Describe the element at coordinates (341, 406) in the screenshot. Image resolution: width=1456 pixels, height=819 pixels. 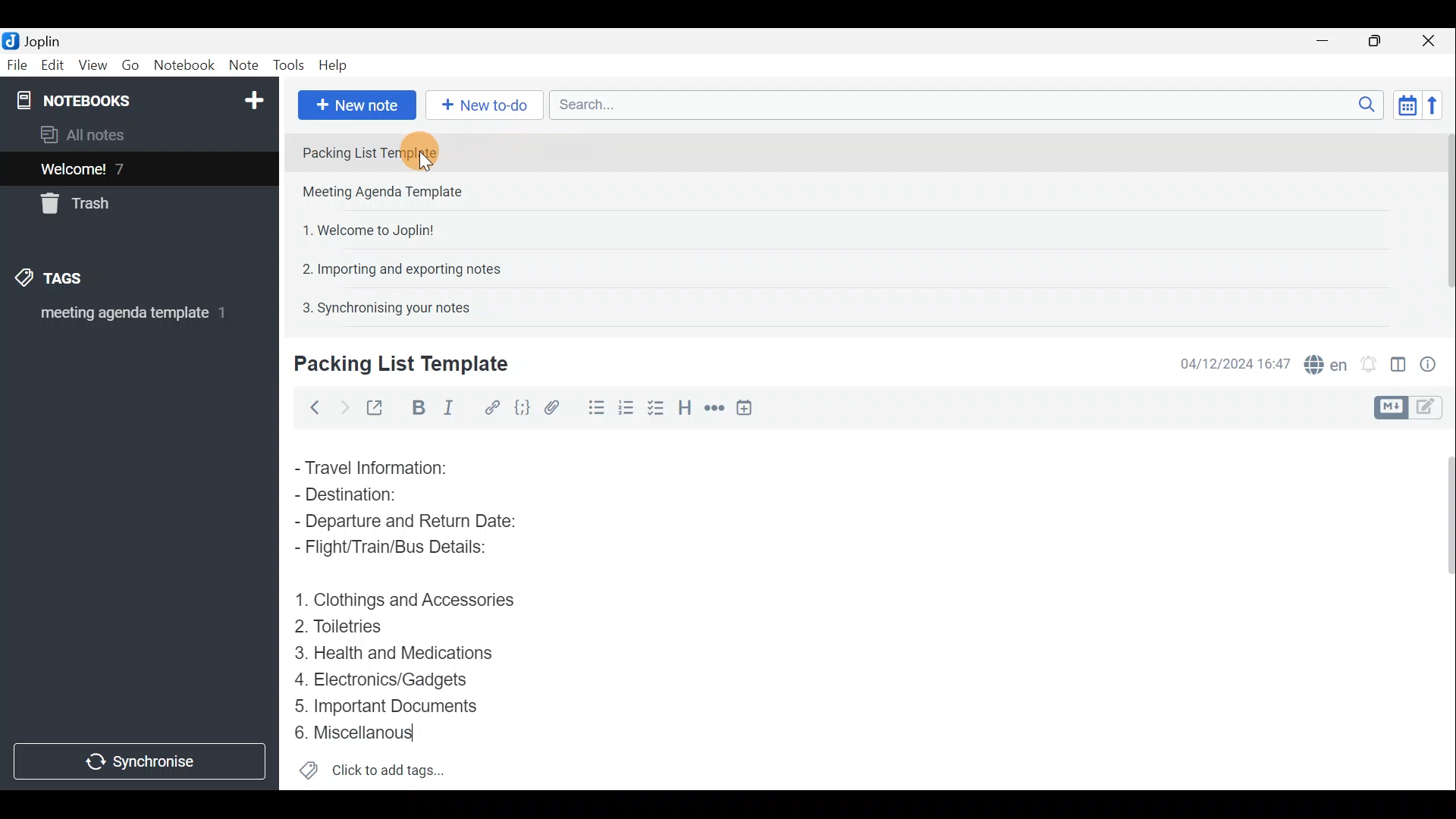
I see `Forward` at that location.